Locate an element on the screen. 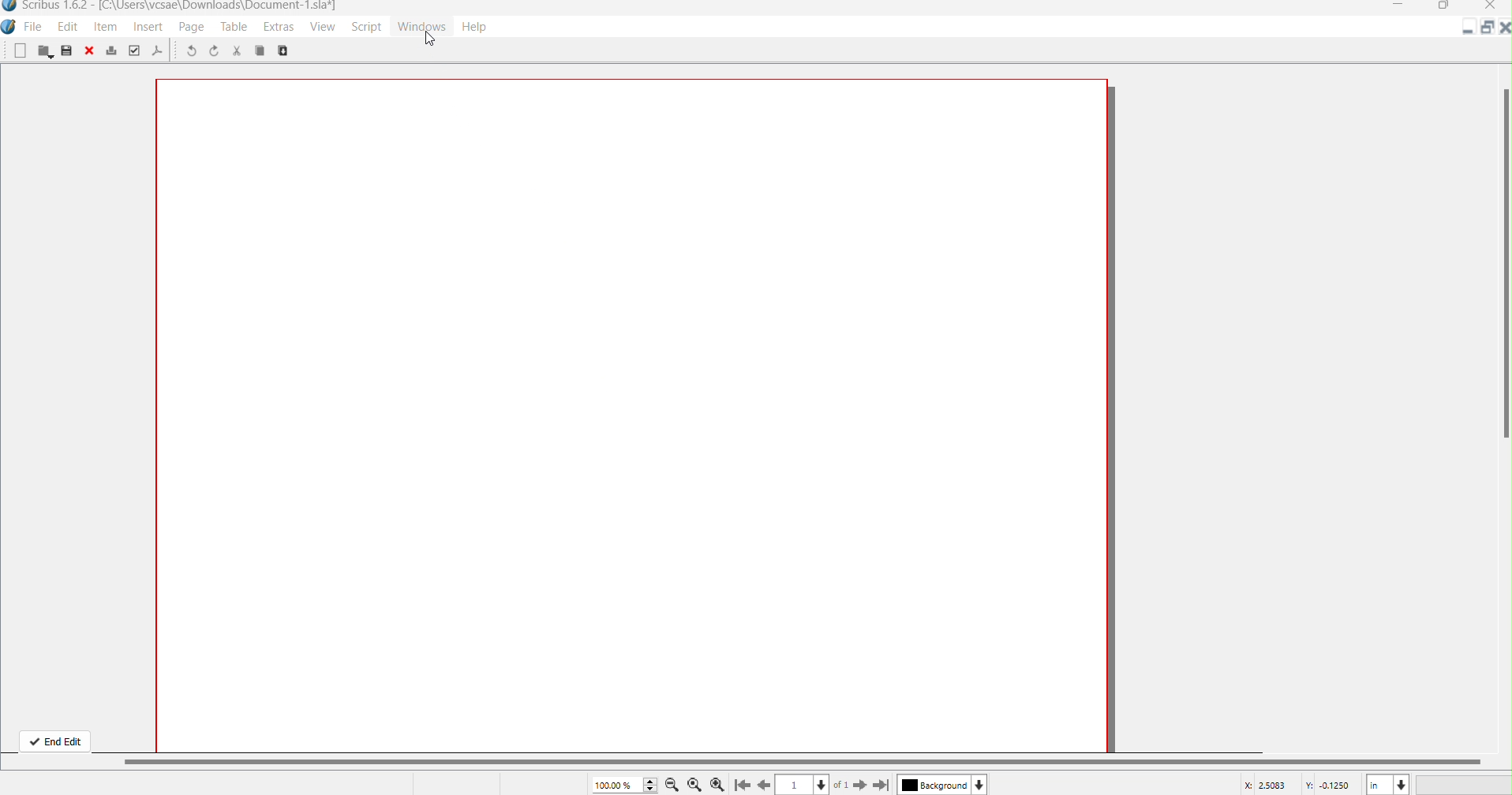 Image resolution: width=1512 pixels, height=795 pixels.  is located at coordinates (44, 51).